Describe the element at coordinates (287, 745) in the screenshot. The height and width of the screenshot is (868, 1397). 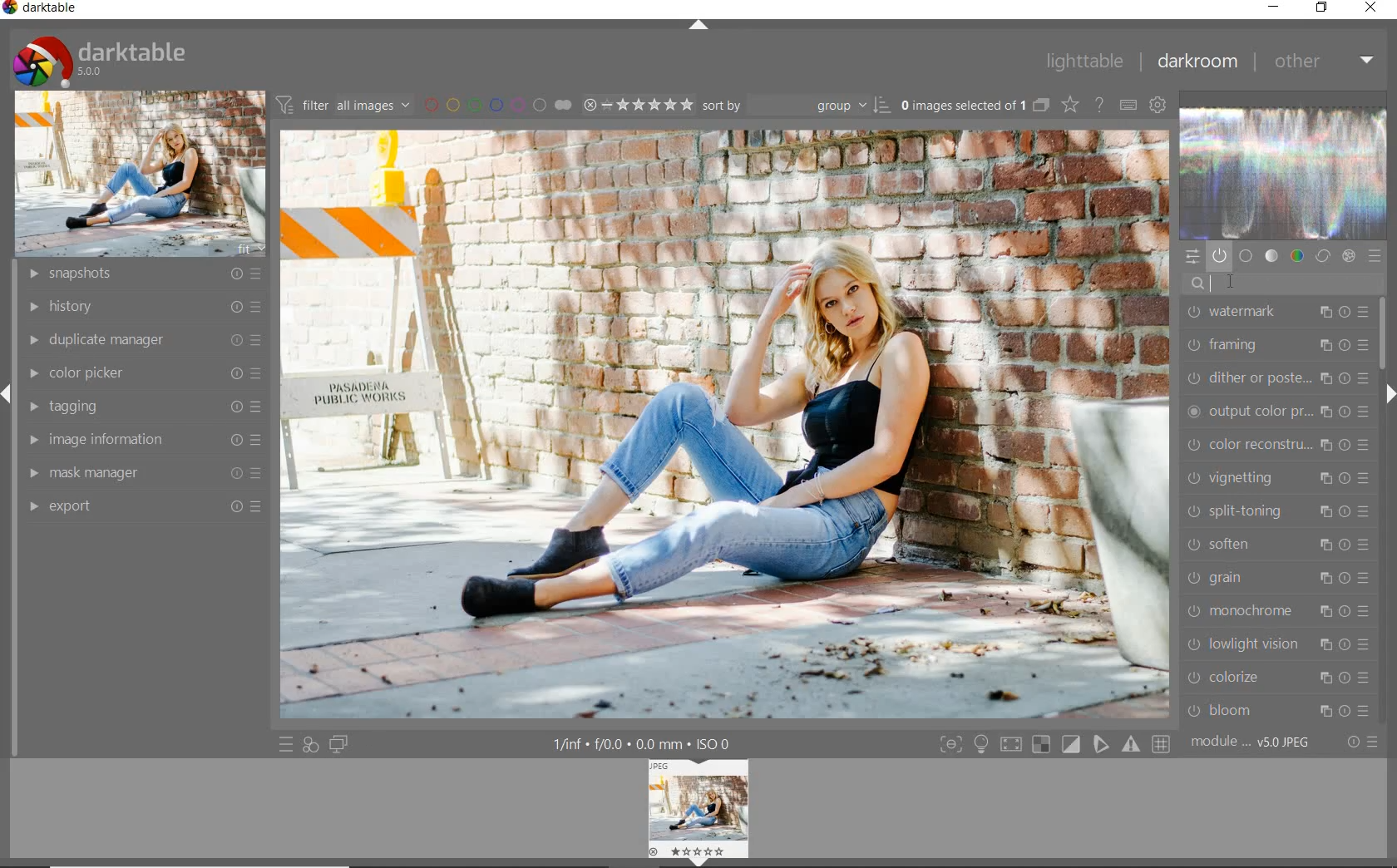
I see `quick access to presets` at that location.